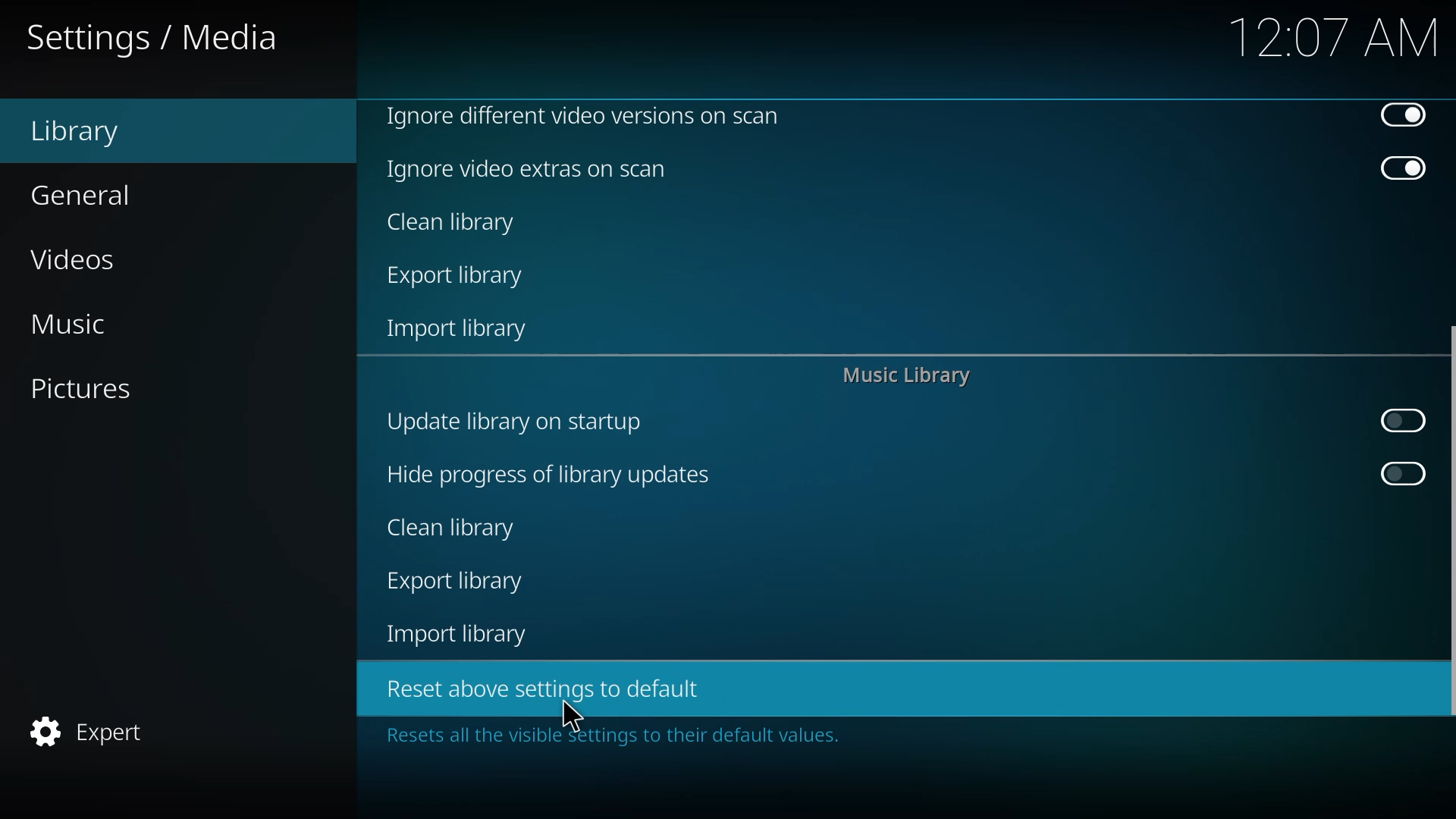  I want to click on export, so click(455, 582).